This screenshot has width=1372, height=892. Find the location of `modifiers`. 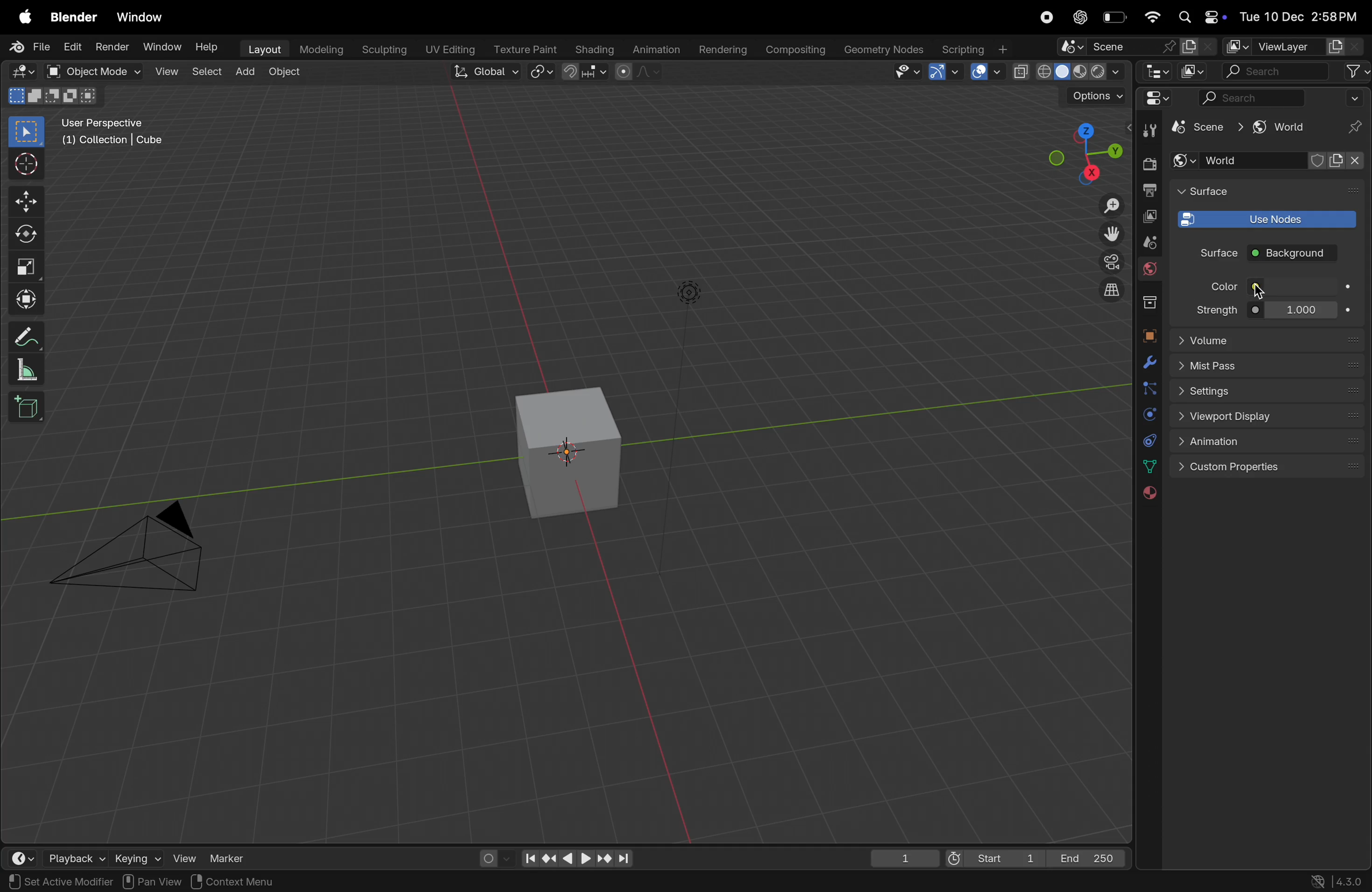

modifiers is located at coordinates (1148, 362).